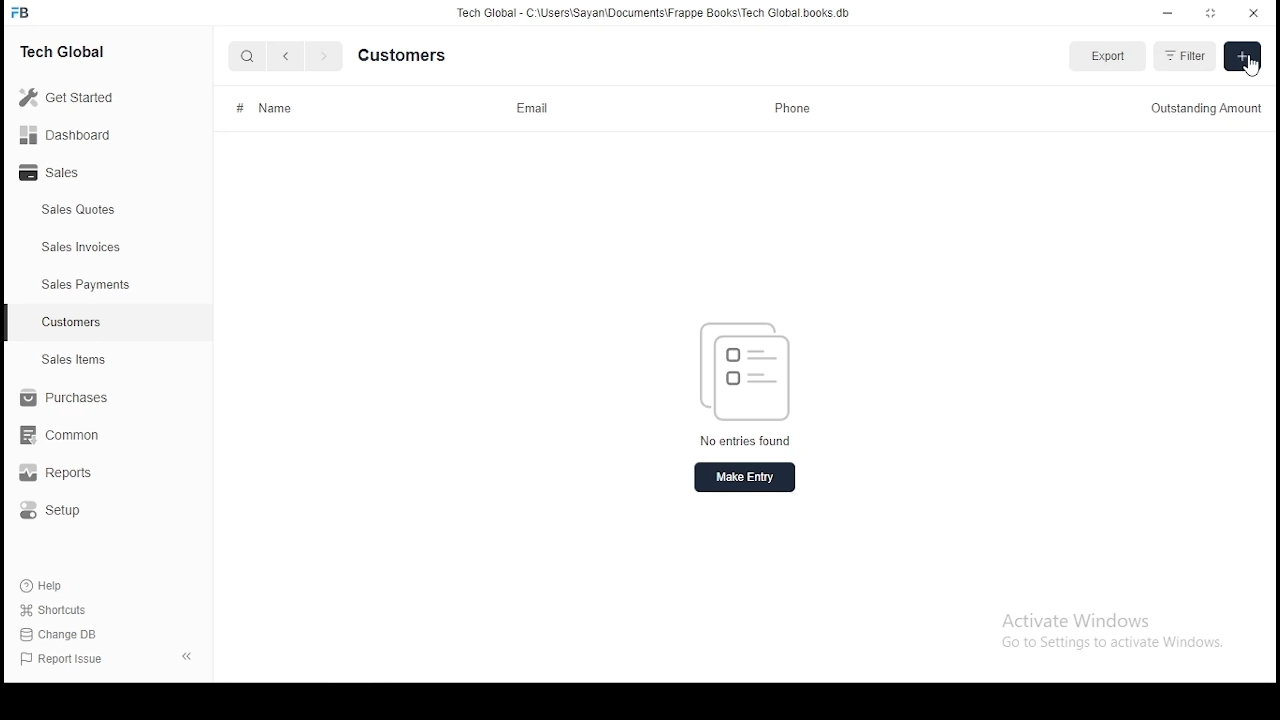 Image resolution: width=1280 pixels, height=720 pixels. I want to click on sales, so click(54, 174).